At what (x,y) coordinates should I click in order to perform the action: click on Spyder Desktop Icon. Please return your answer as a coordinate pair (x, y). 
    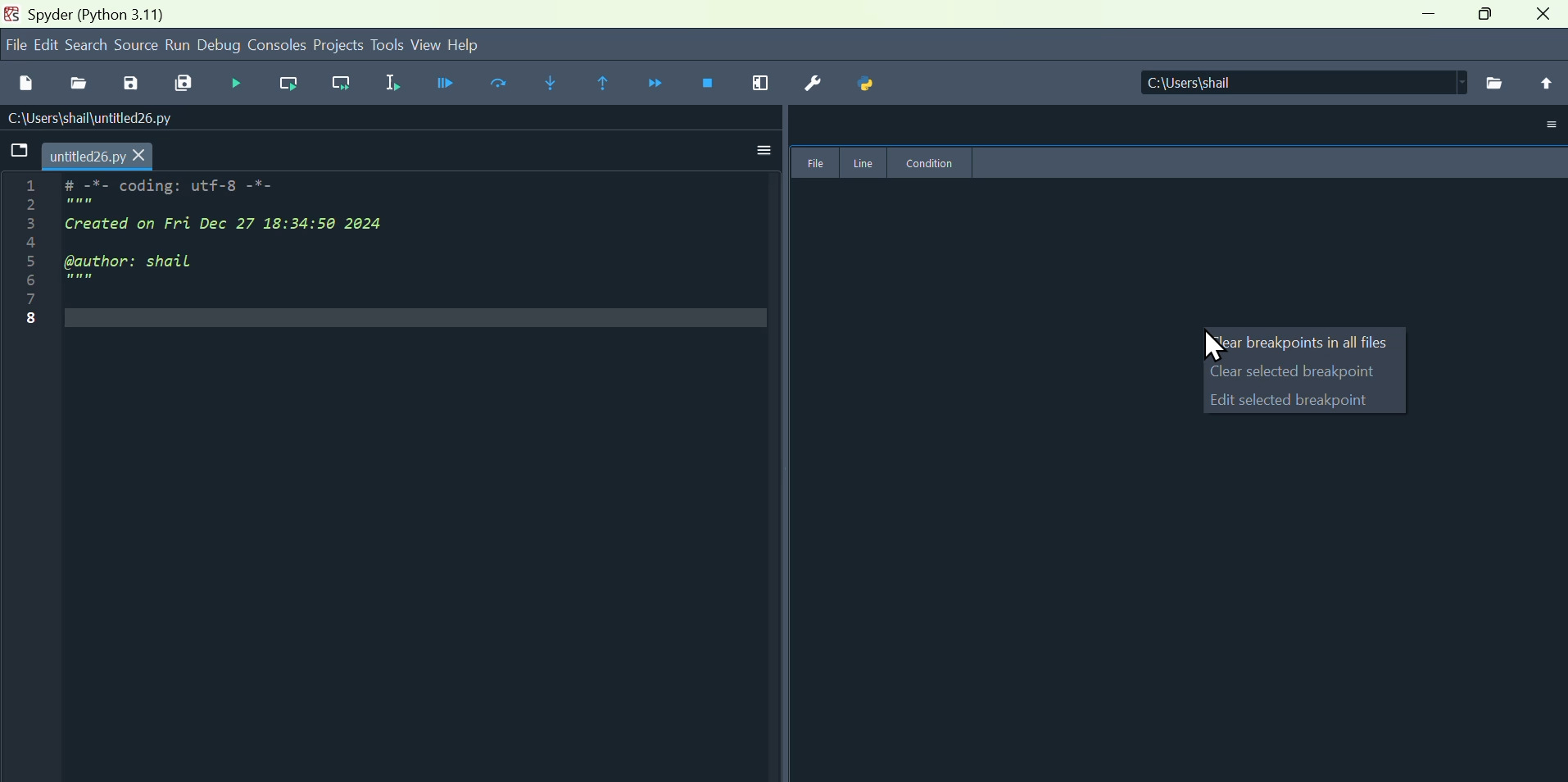
    Looking at the image, I should click on (11, 13).